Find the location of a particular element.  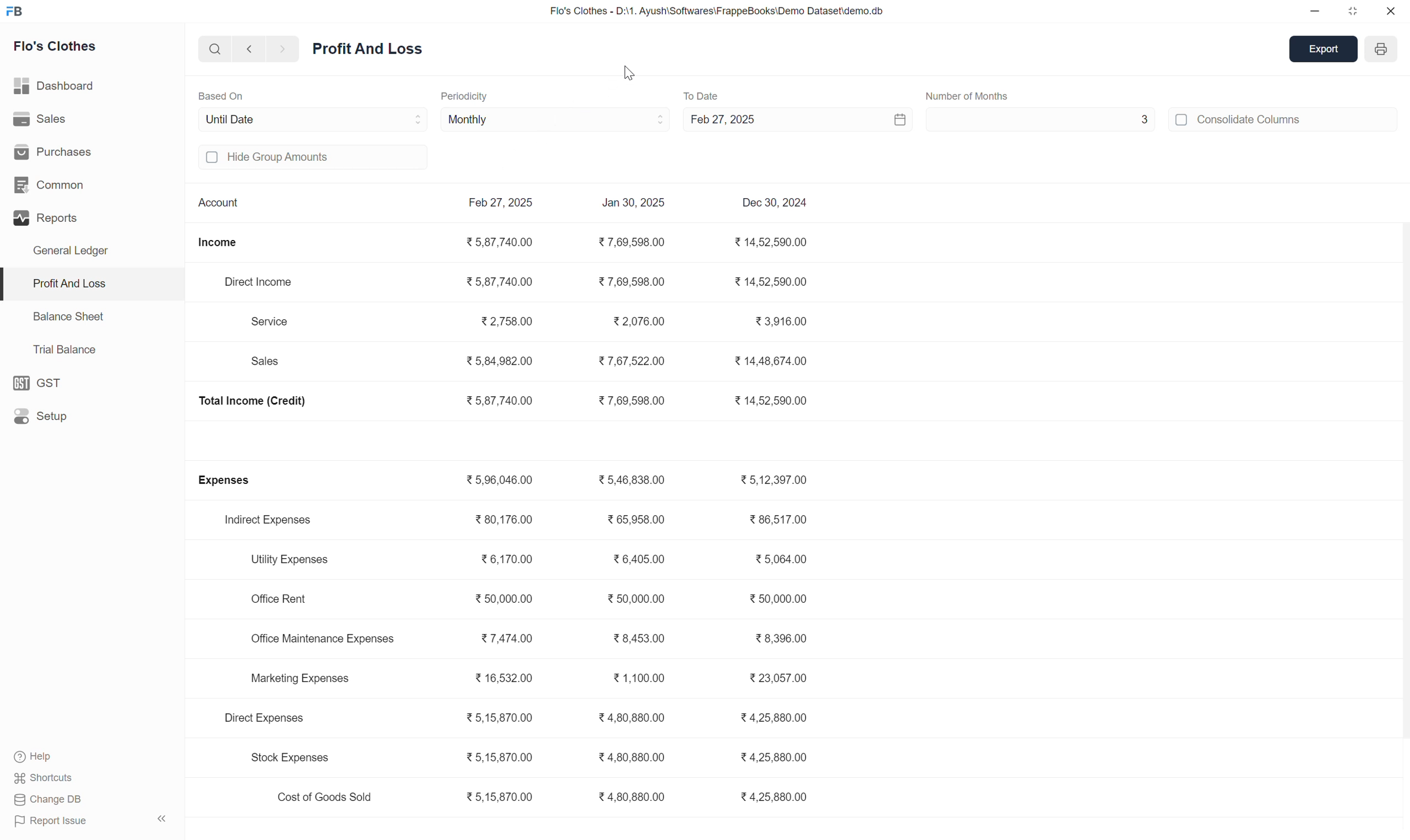

Reports is located at coordinates (54, 220).